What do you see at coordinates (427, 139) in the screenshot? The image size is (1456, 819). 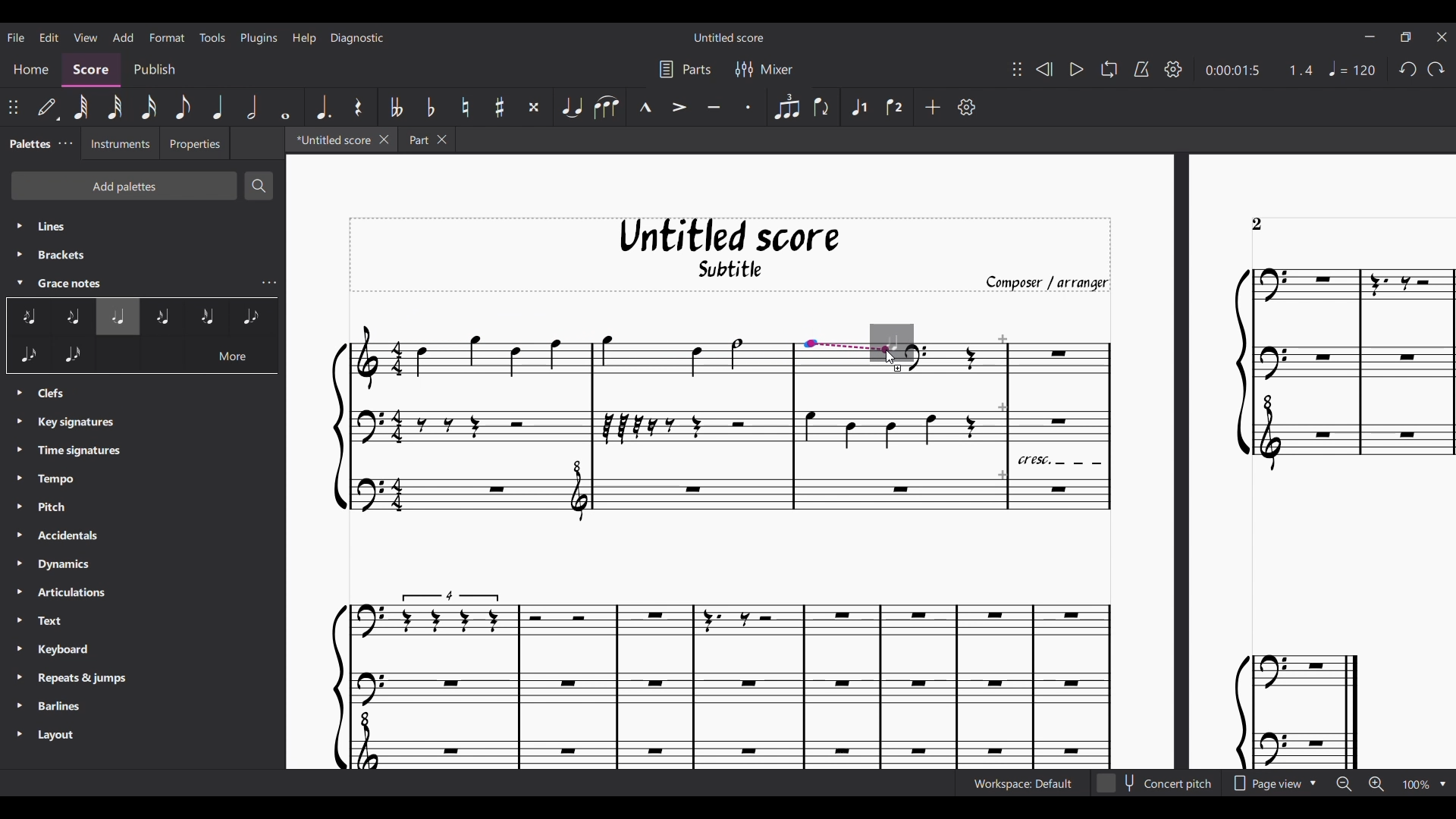 I see `Earlier tab` at bounding box center [427, 139].